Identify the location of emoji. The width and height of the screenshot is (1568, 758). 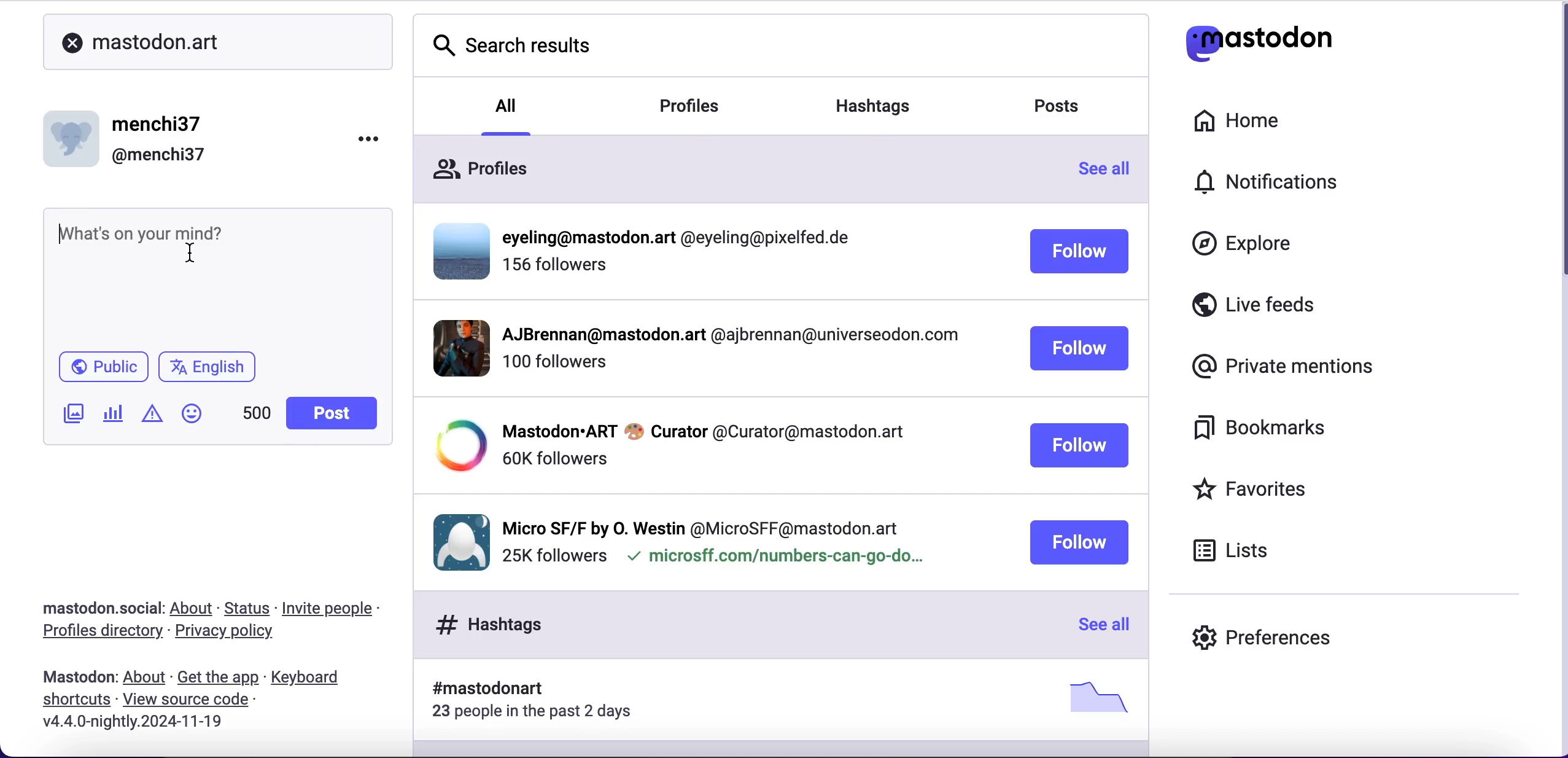
(197, 417).